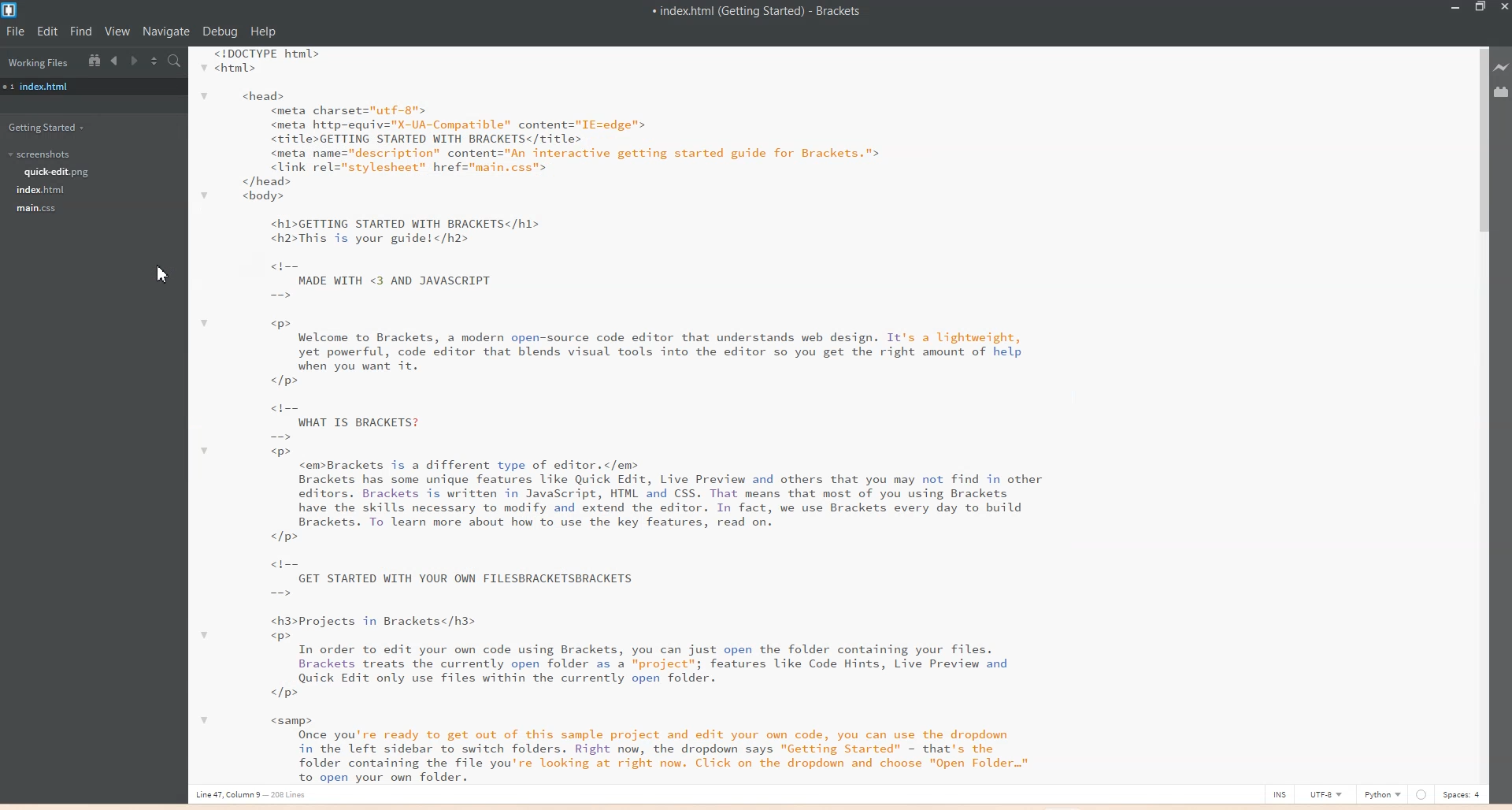 The image size is (1512, 810). I want to click on Find in Files, so click(176, 61).